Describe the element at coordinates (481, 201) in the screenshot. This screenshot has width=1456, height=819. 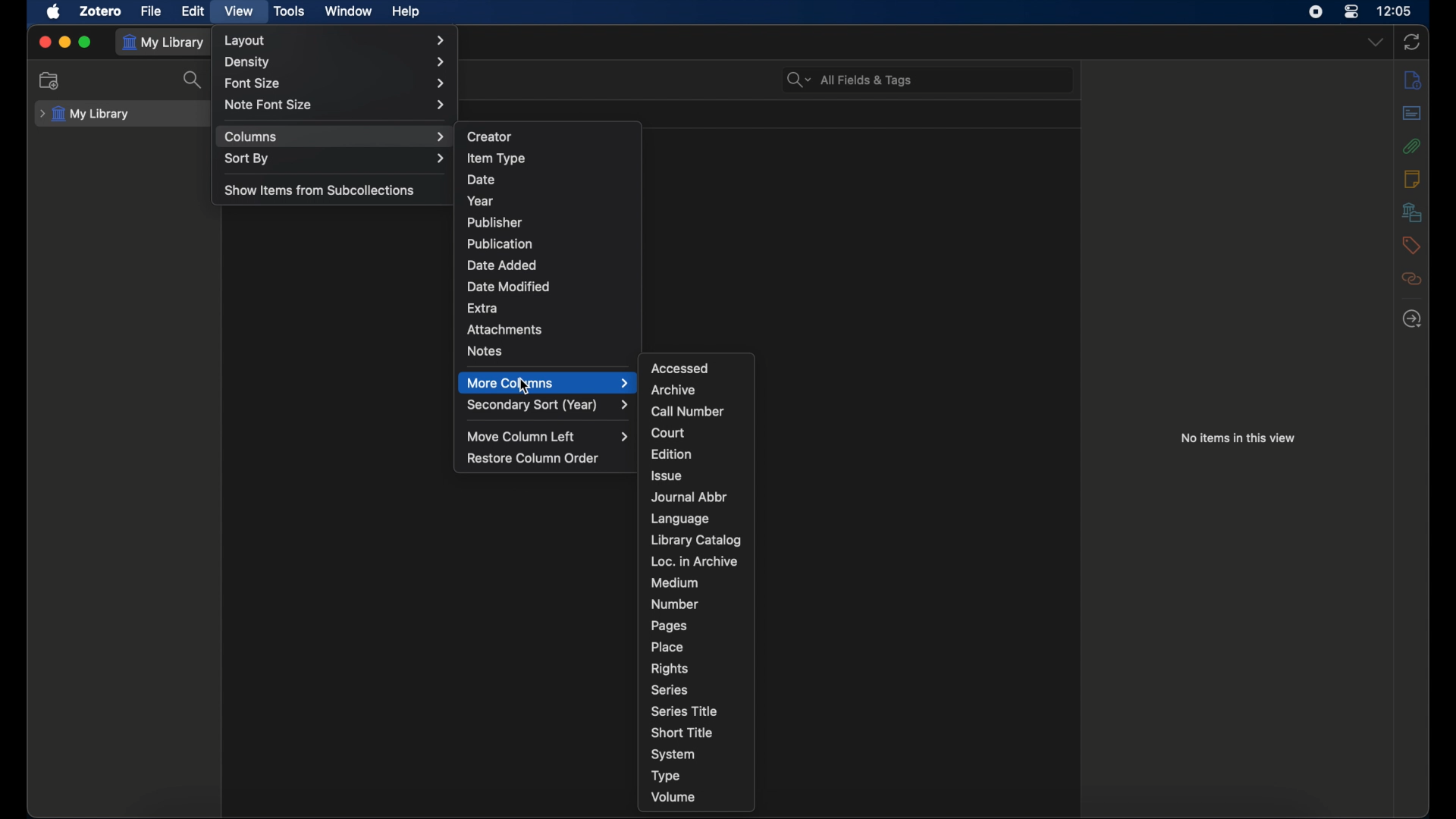
I see `year` at that location.